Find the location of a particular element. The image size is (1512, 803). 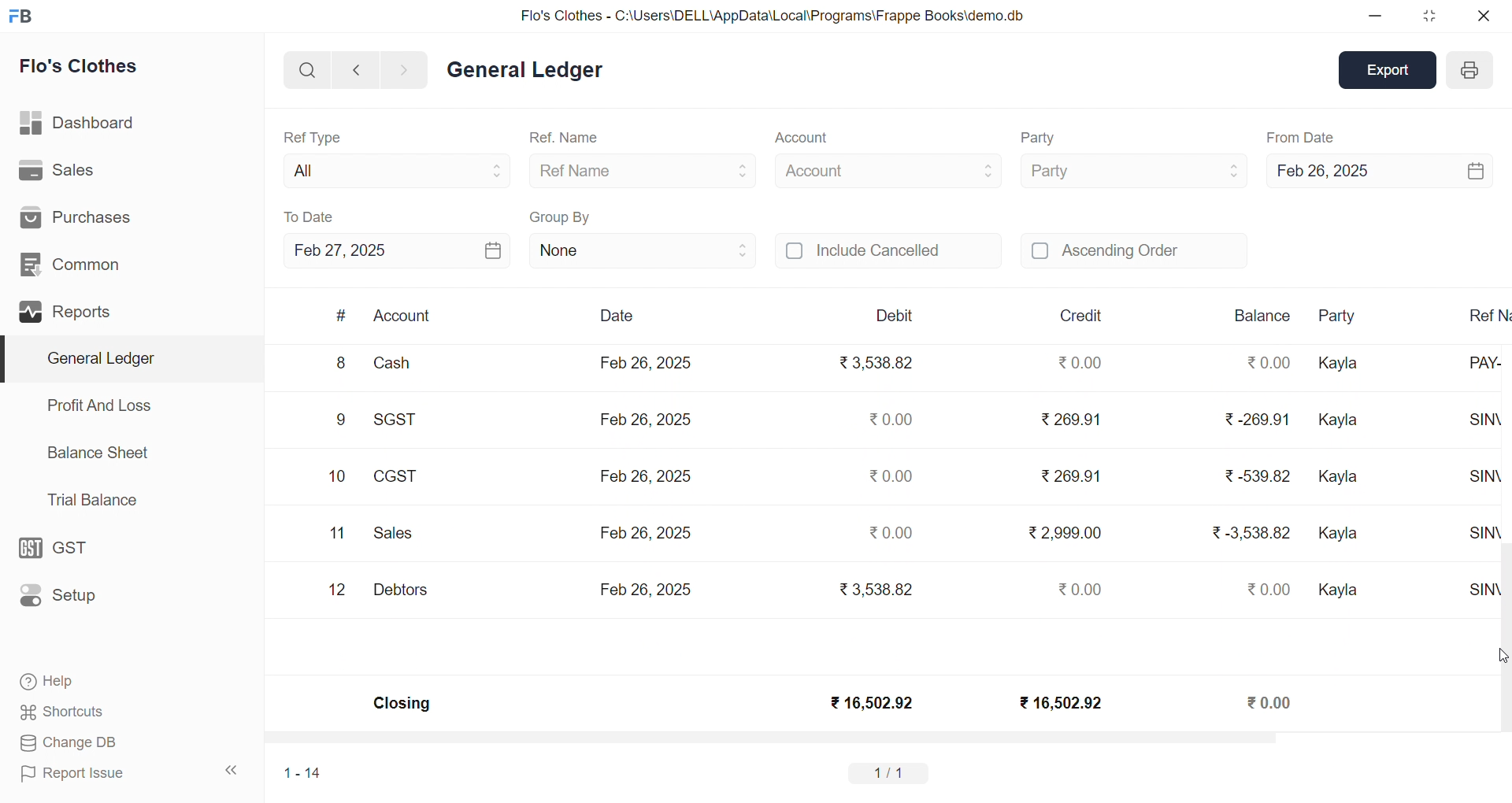

RESIZE is located at coordinates (1426, 16).